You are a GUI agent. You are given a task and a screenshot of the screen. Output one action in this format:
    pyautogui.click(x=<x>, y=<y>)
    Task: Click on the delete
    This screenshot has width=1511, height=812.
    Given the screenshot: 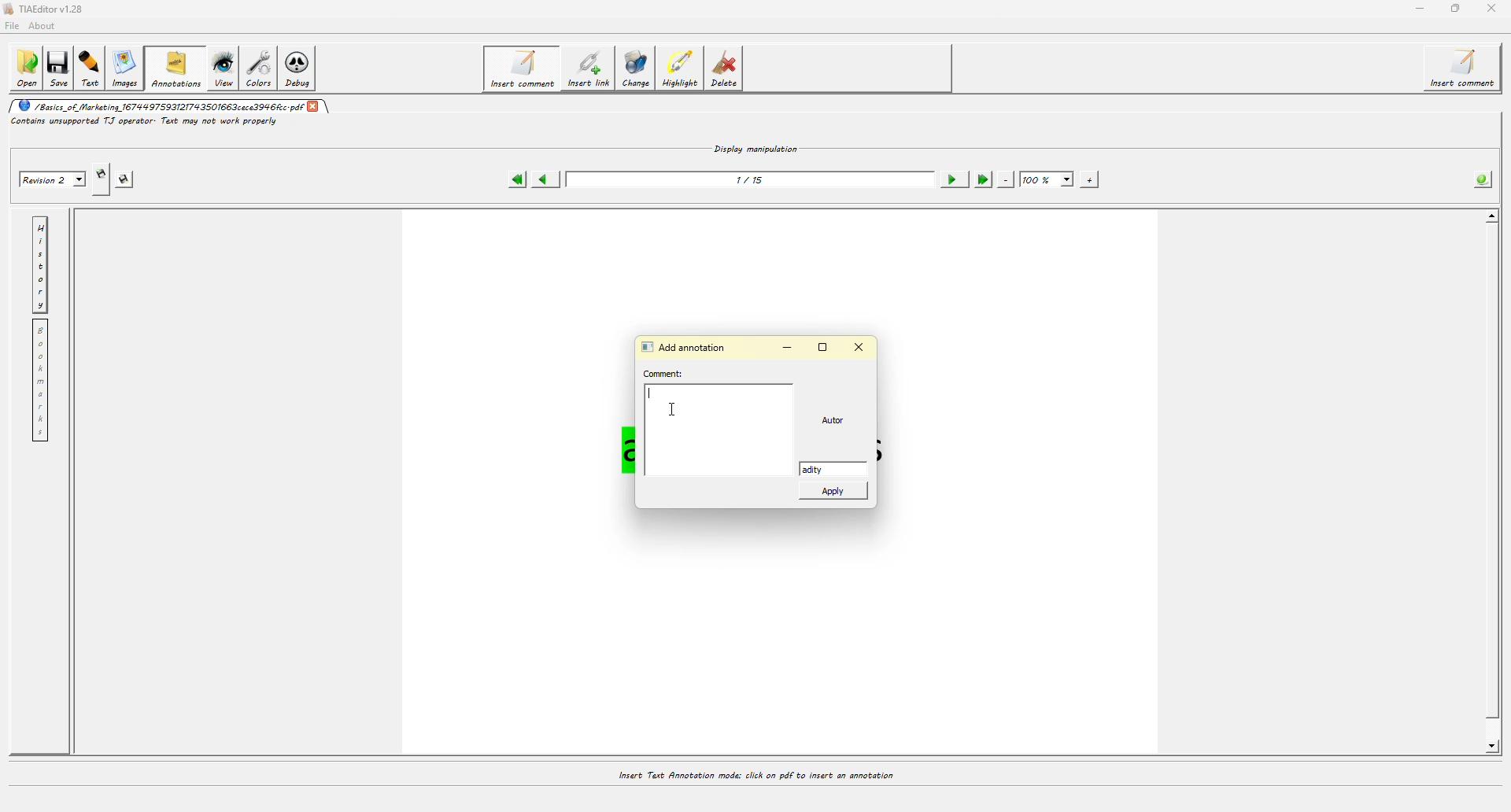 What is the action you would take?
    pyautogui.click(x=728, y=72)
    